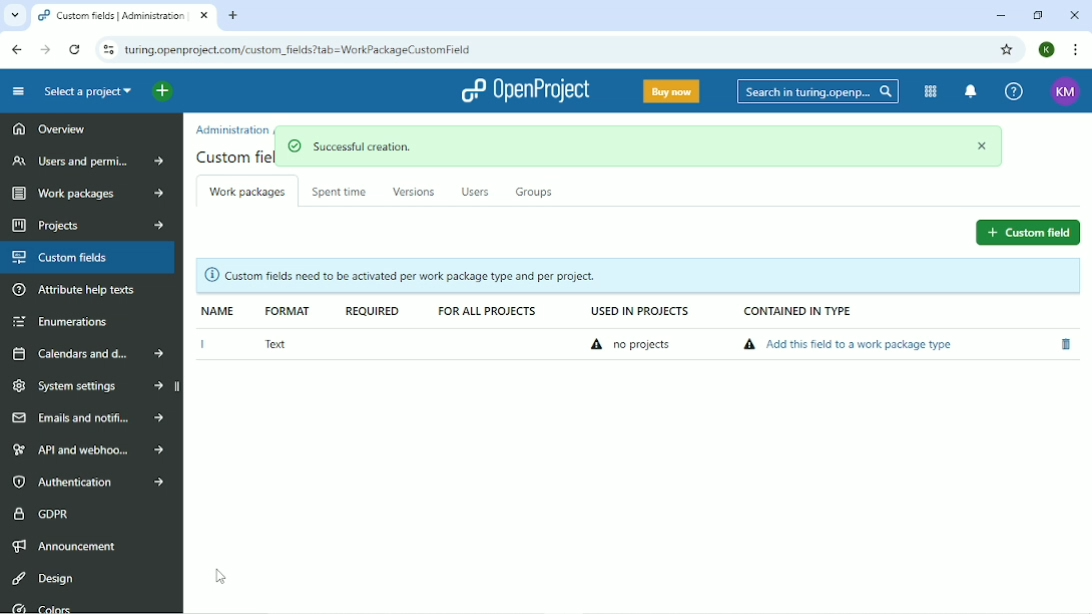  Describe the element at coordinates (49, 127) in the screenshot. I see `Overview` at that location.